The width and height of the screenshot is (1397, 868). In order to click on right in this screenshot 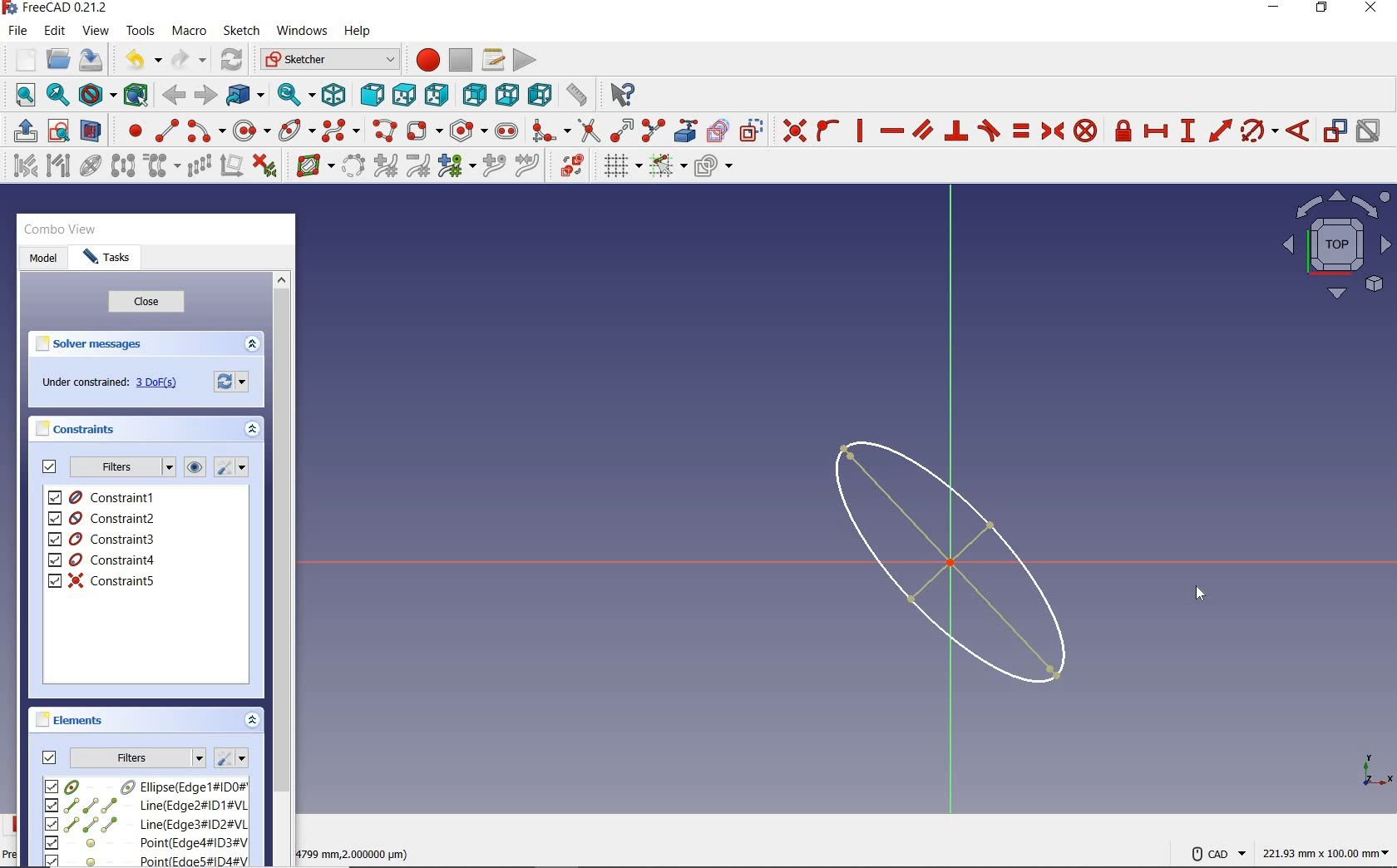, I will do `click(437, 94)`.